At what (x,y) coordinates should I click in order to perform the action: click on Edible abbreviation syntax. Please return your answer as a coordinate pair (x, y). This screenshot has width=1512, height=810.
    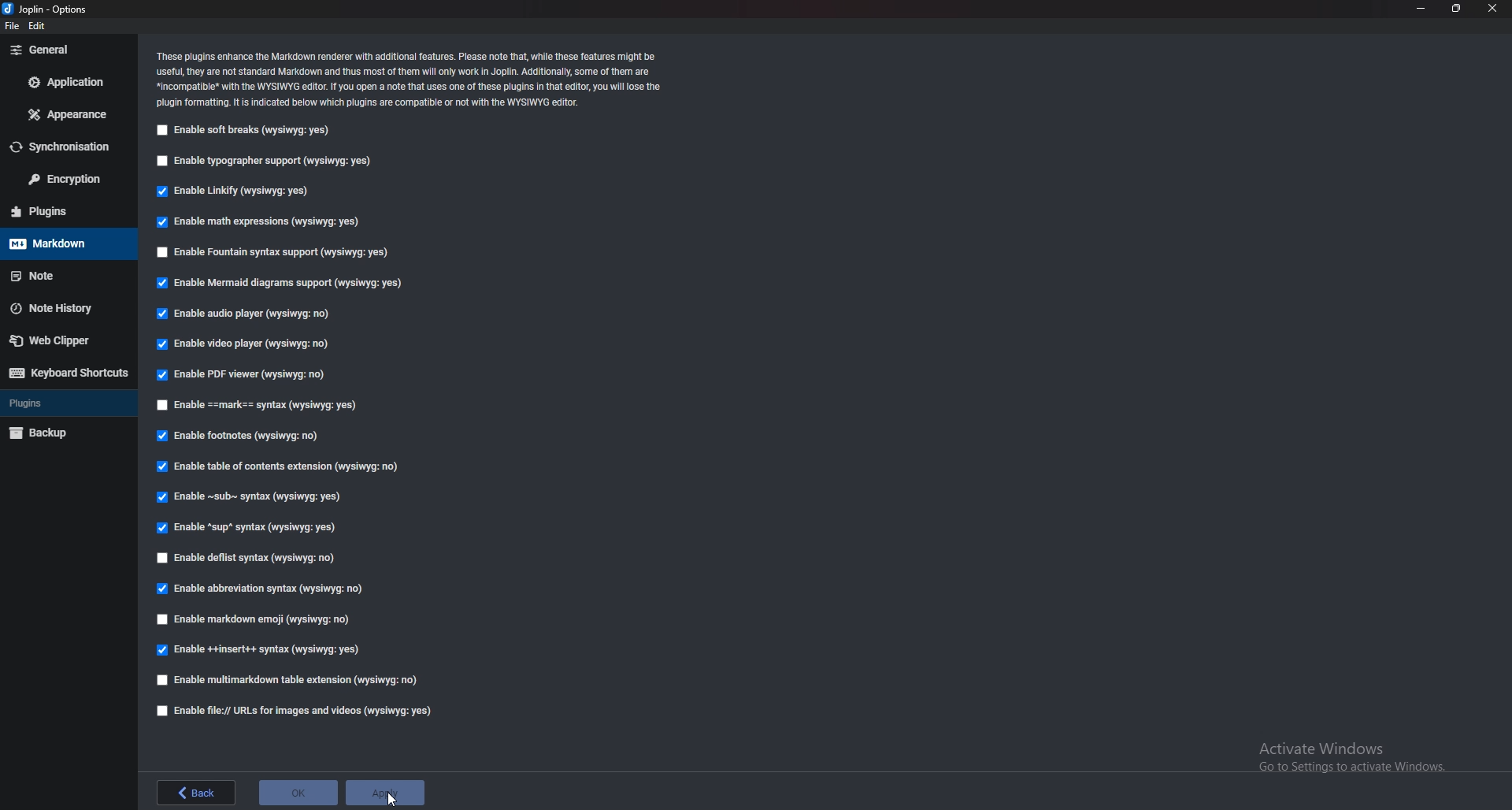
    Looking at the image, I should click on (273, 586).